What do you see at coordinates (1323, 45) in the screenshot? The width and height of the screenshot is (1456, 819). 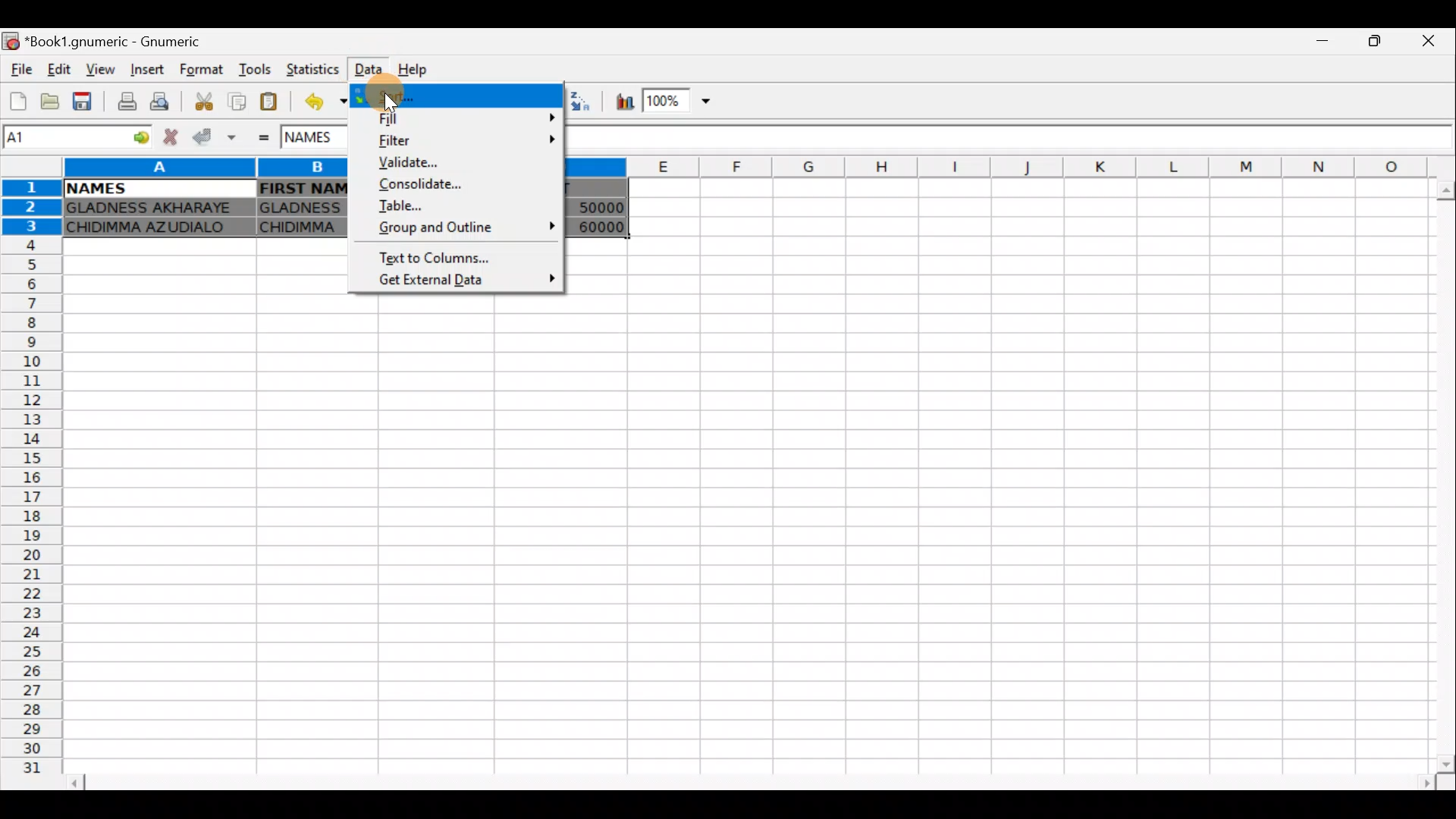 I see `Minimize` at bounding box center [1323, 45].